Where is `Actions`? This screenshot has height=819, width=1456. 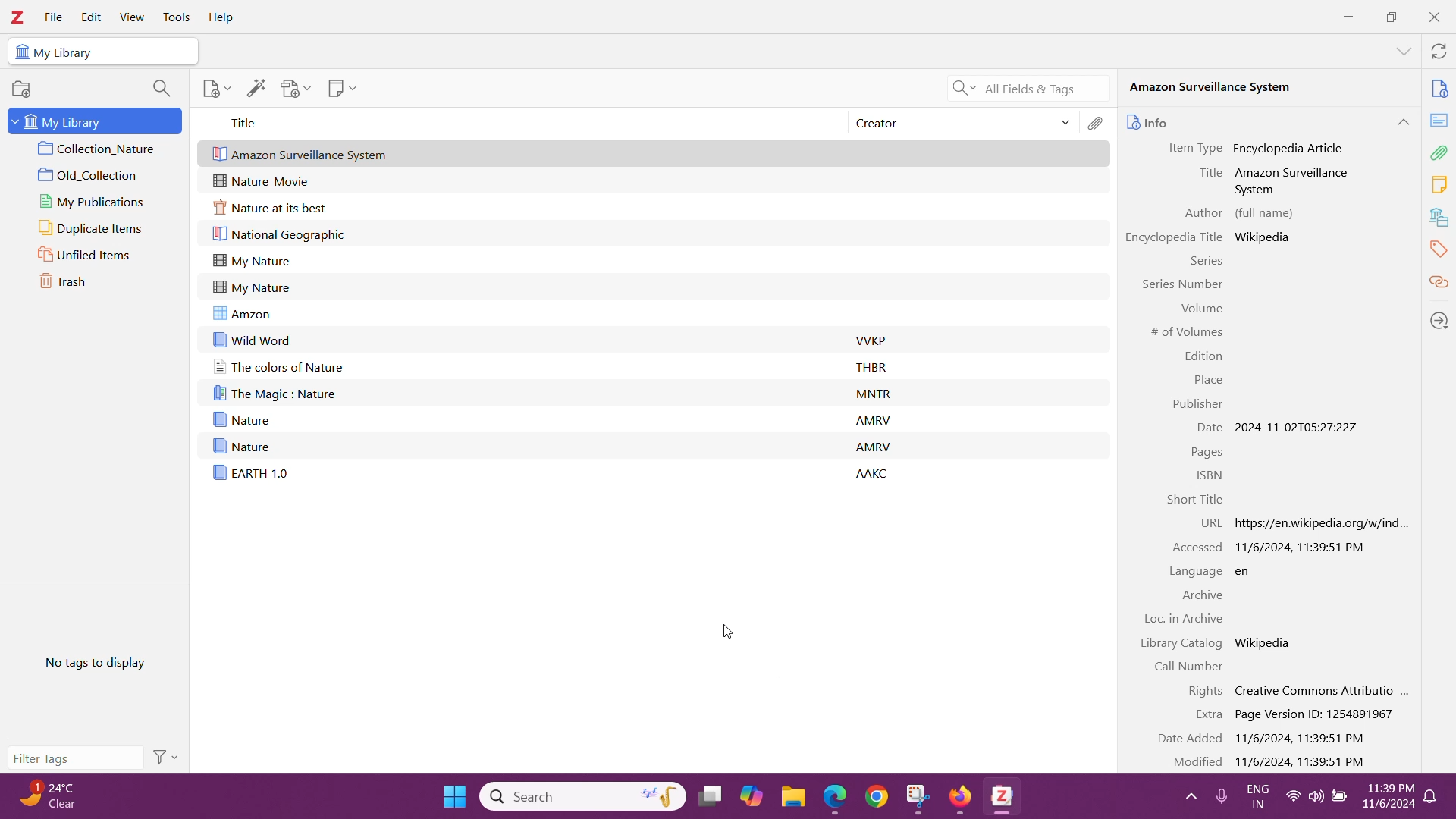
Actions is located at coordinates (165, 757).